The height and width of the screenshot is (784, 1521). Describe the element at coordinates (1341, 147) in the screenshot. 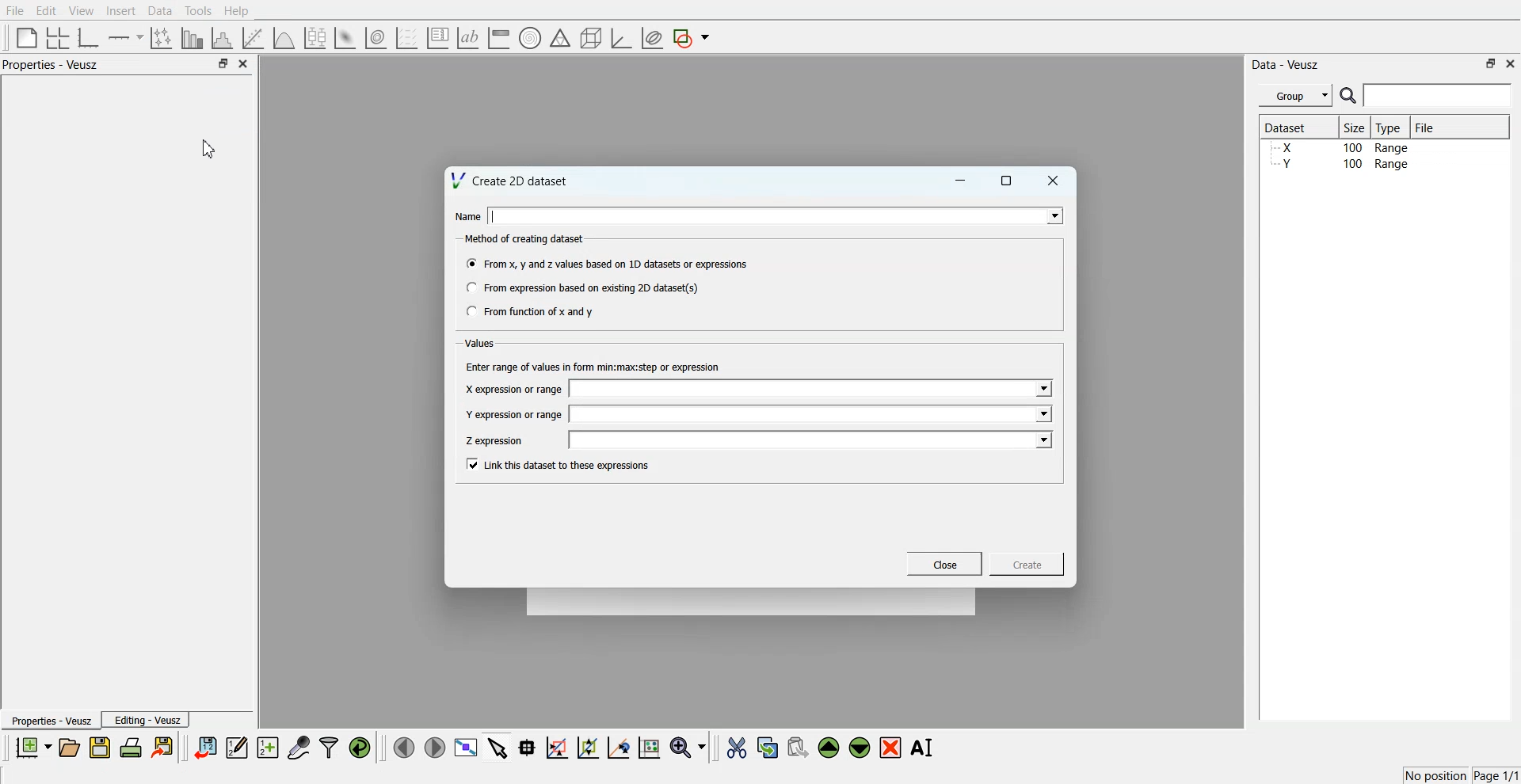

I see `X 100 Range` at that location.